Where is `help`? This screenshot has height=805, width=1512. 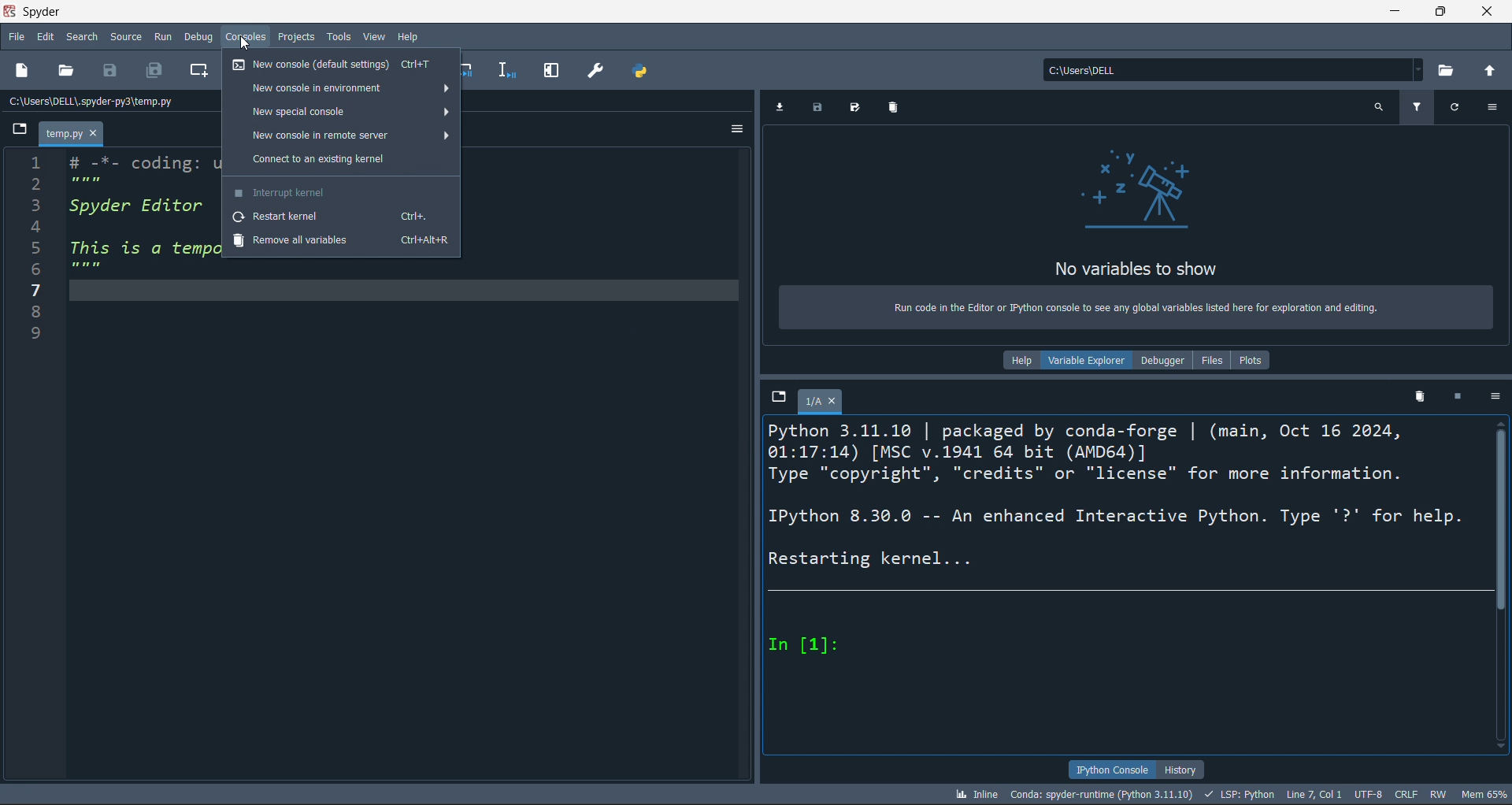
help is located at coordinates (1021, 363).